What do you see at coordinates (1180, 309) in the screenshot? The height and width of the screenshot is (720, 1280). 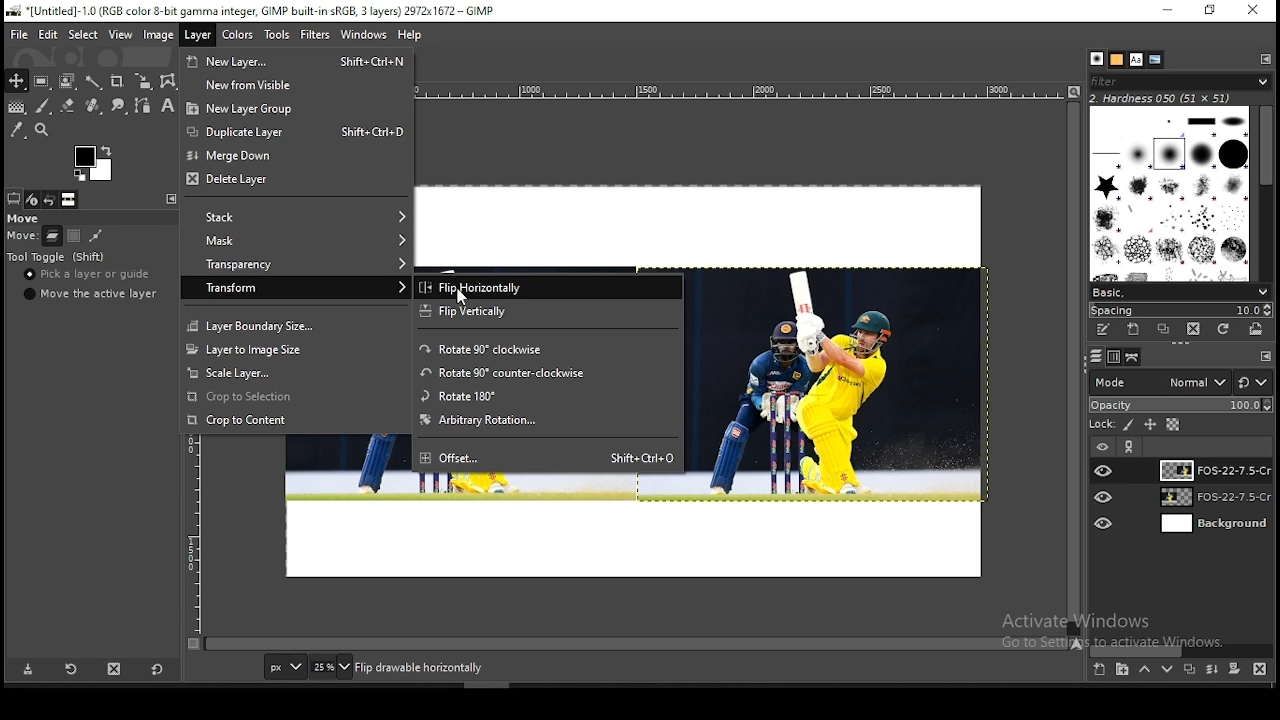 I see `spacing` at bounding box center [1180, 309].